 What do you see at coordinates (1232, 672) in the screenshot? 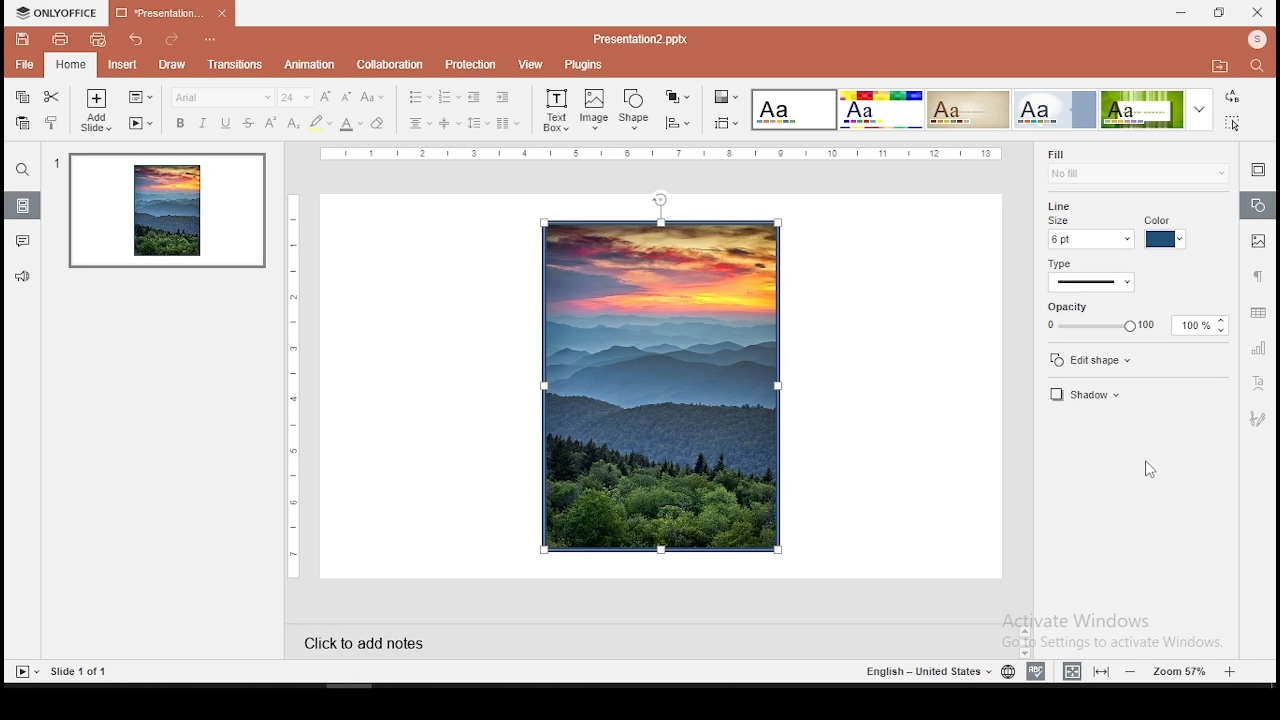
I see `zoom in` at bounding box center [1232, 672].